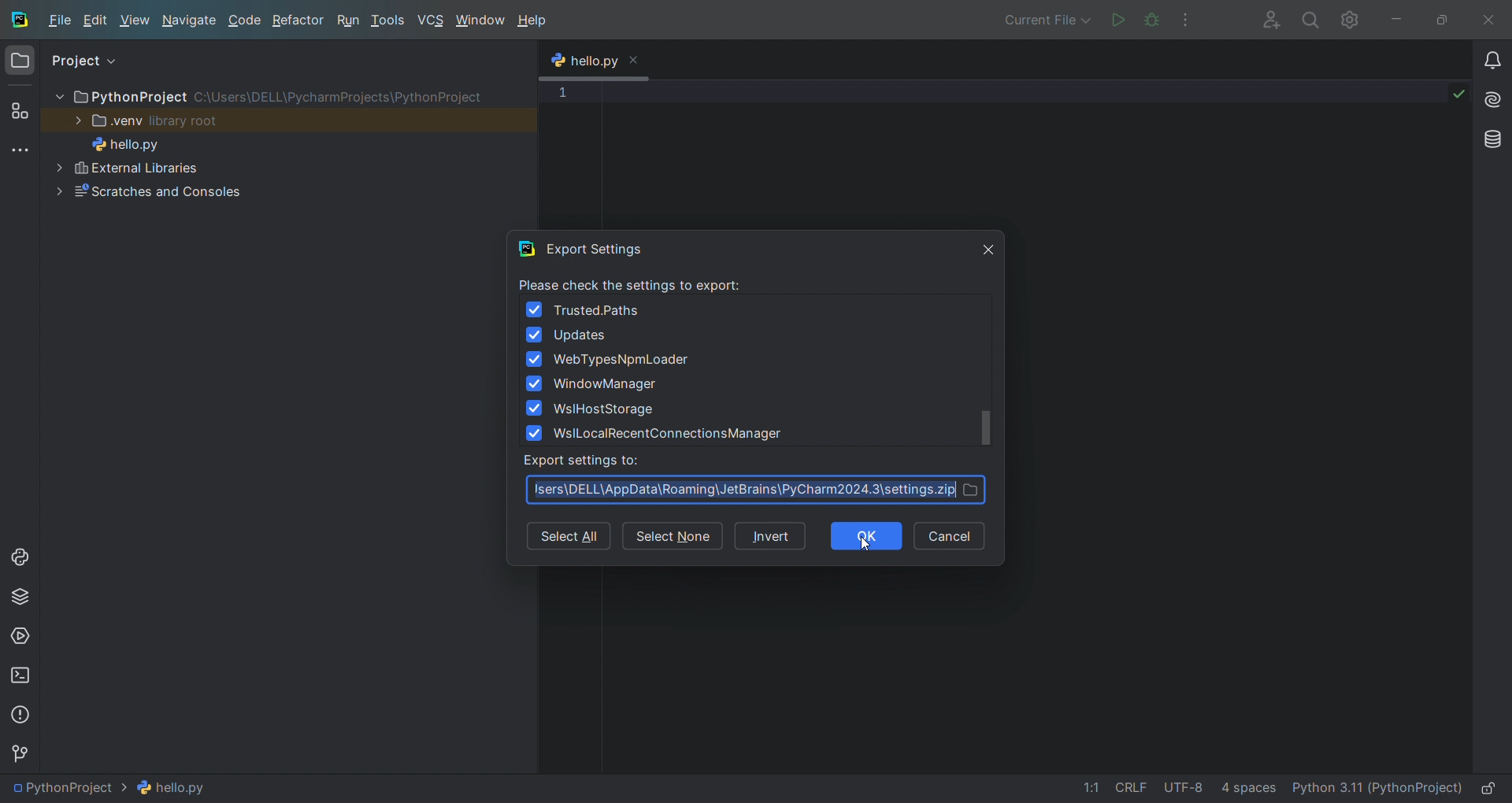  I want to click on python logo, so click(557, 62).